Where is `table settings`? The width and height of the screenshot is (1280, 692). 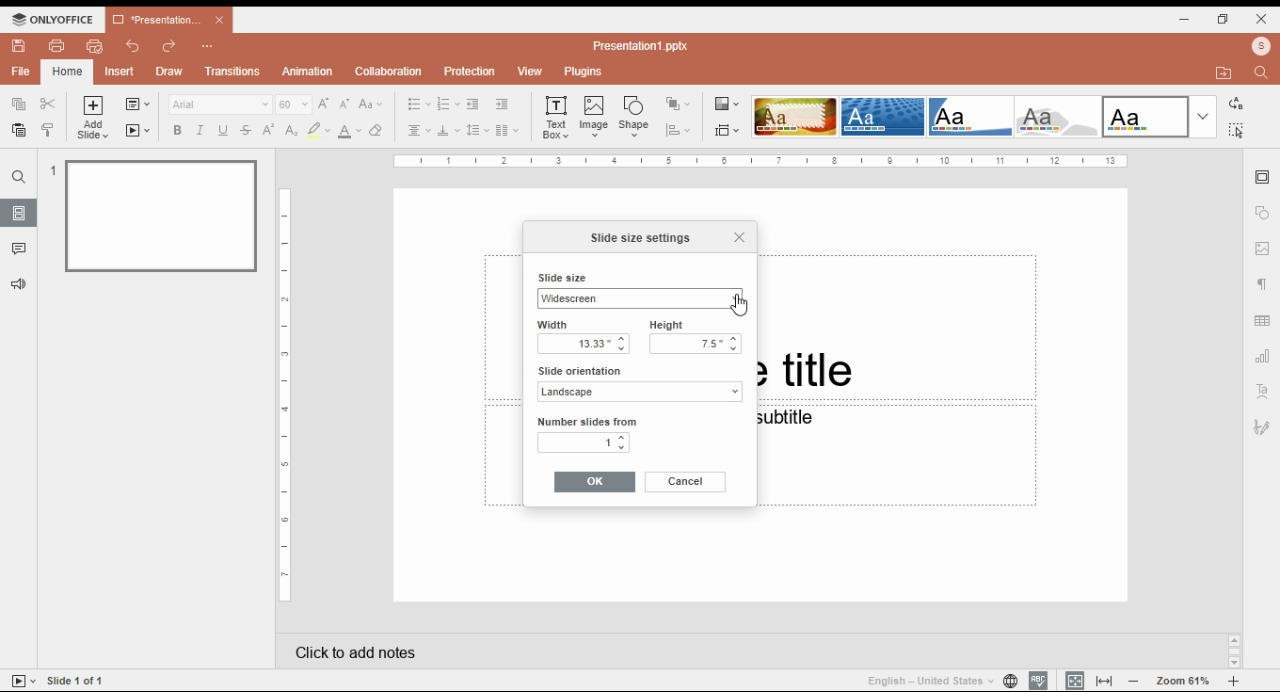
table settings is located at coordinates (1264, 323).